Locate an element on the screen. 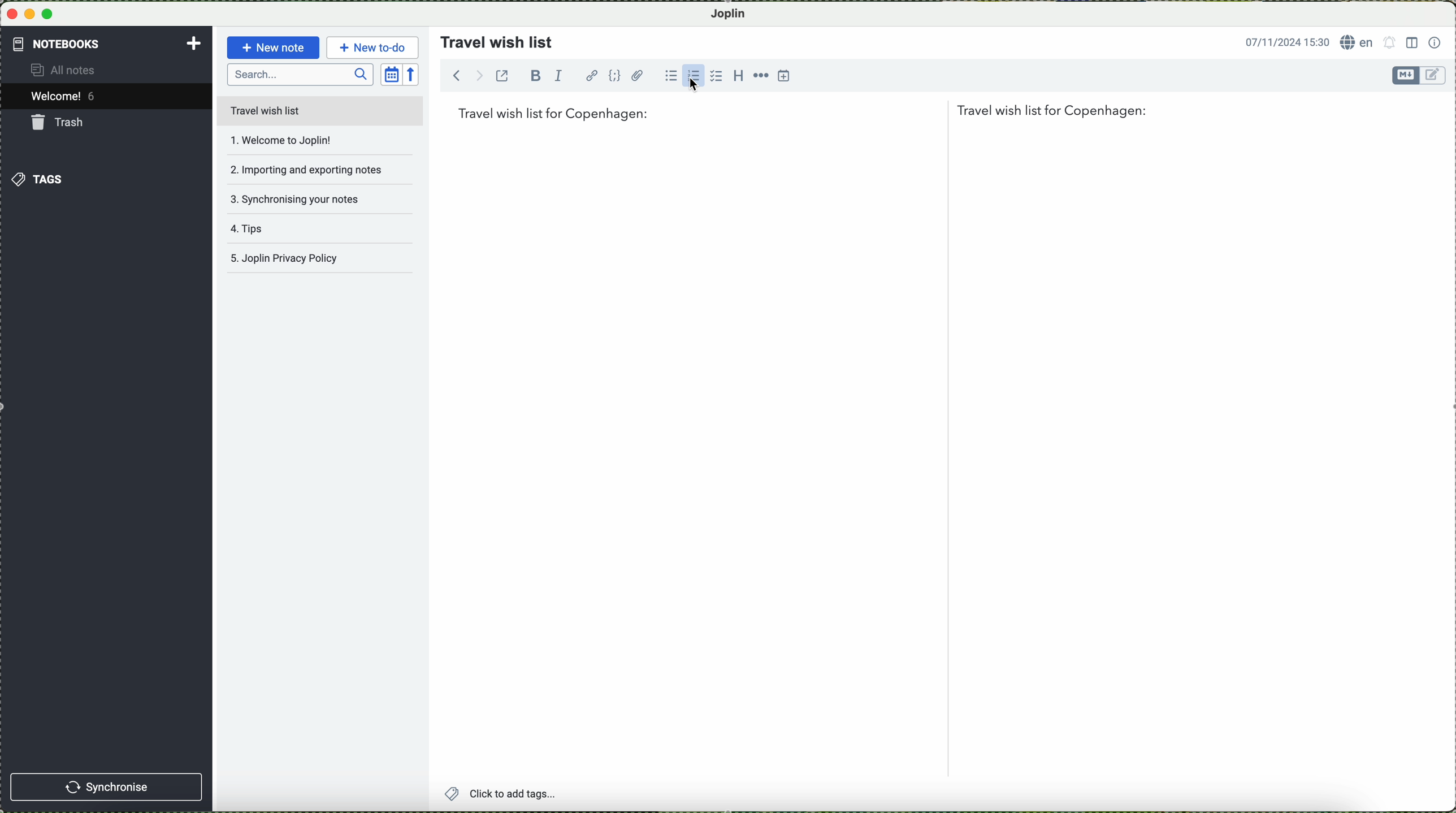 The width and height of the screenshot is (1456, 813). toggle external editing is located at coordinates (505, 80).